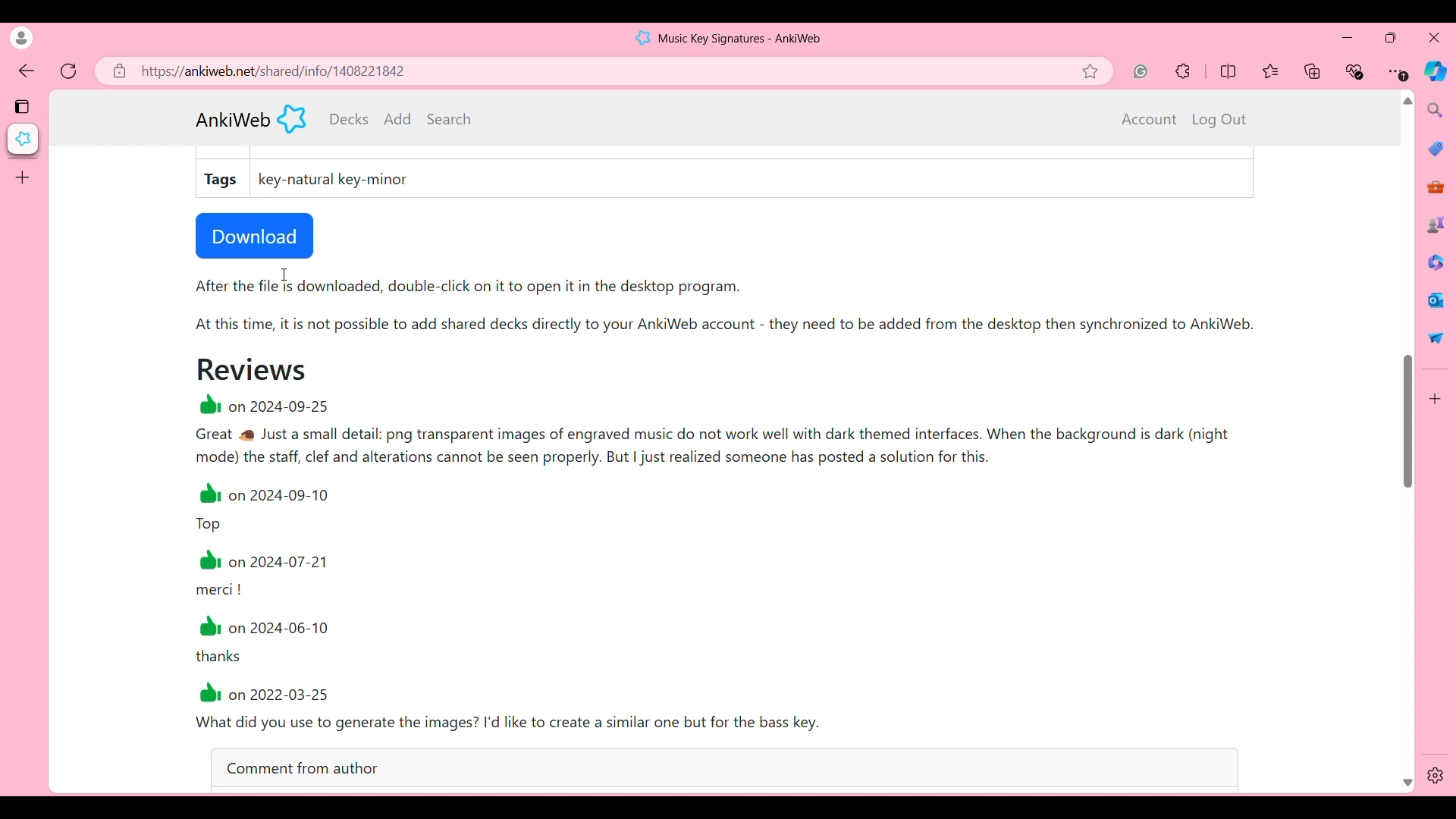  Describe the element at coordinates (292, 118) in the screenshot. I see `Software logo` at that location.